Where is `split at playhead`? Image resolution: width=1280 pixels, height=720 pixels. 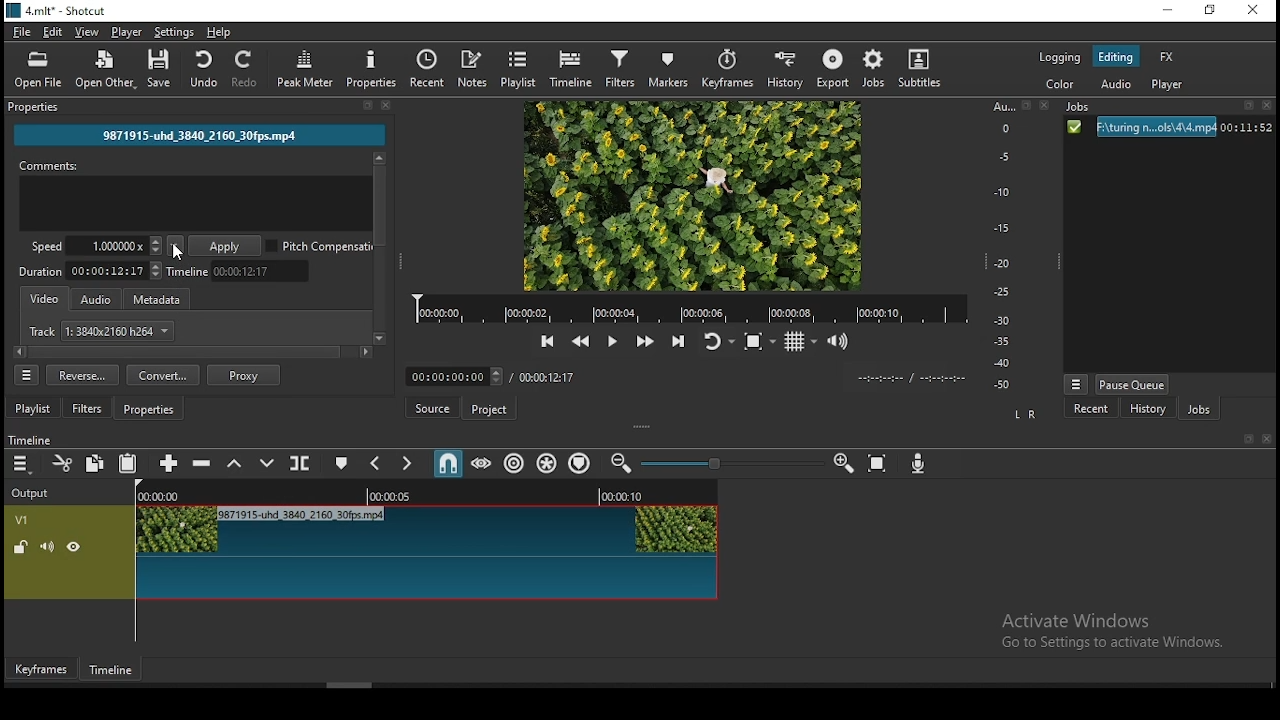
split at playhead is located at coordinates (297, 464).